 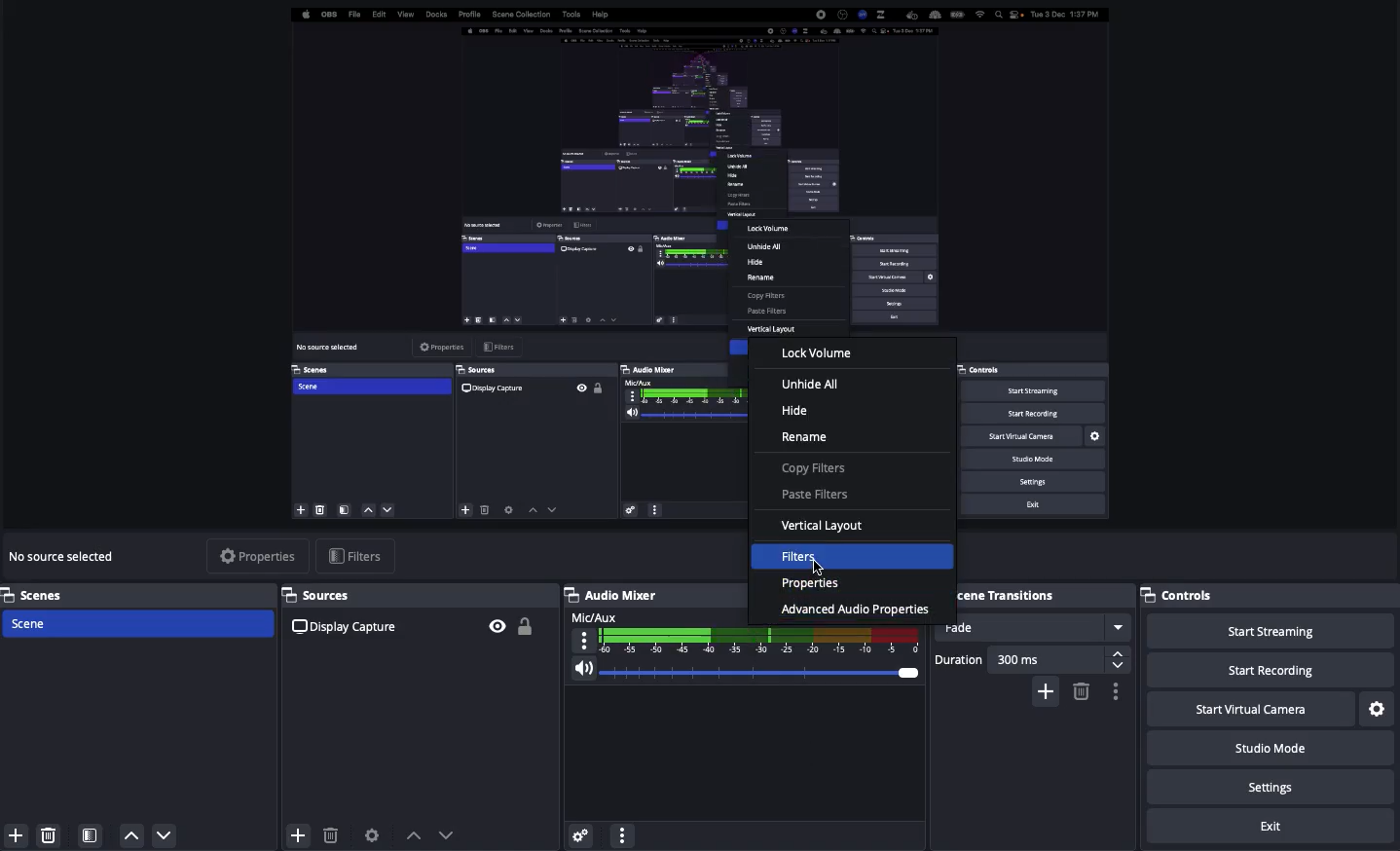 What do you see at coordinates (527, 627) in the screenshot?
I see `Unlock` at bounding box center [527, 627].